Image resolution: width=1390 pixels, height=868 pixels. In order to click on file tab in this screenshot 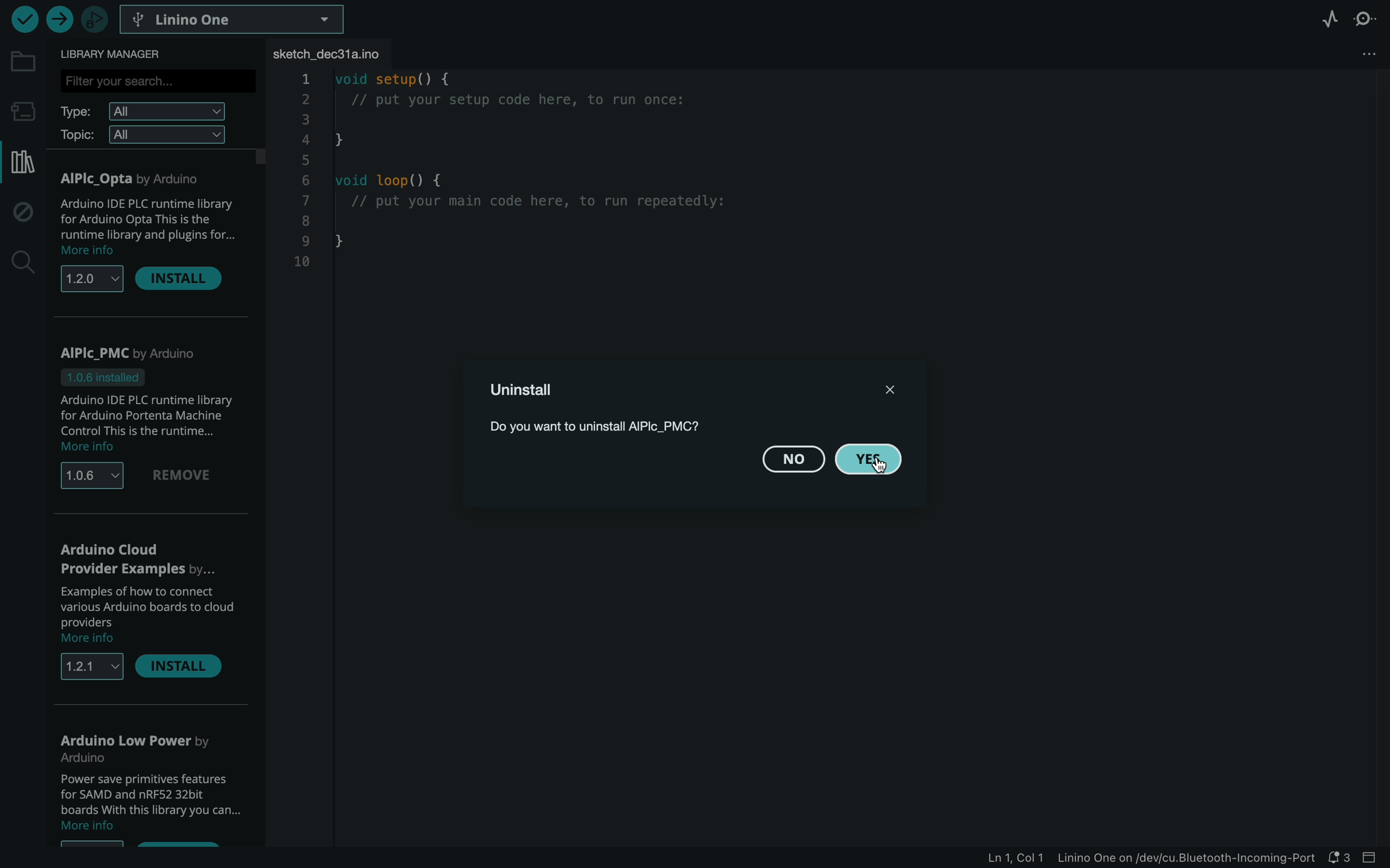, I will do `click(334, 53)`.